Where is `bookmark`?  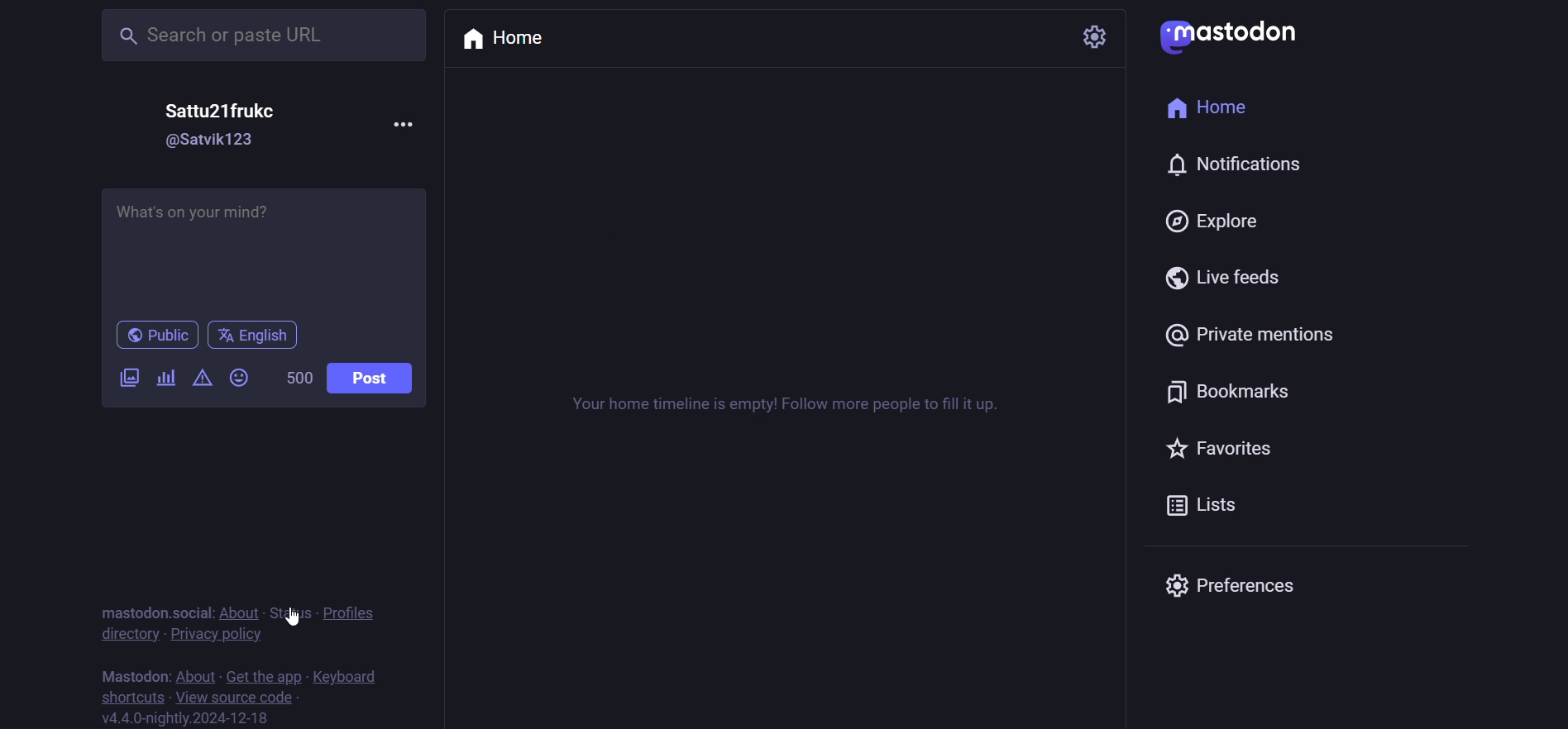
bookmark is located at coordinates (1228, 389).